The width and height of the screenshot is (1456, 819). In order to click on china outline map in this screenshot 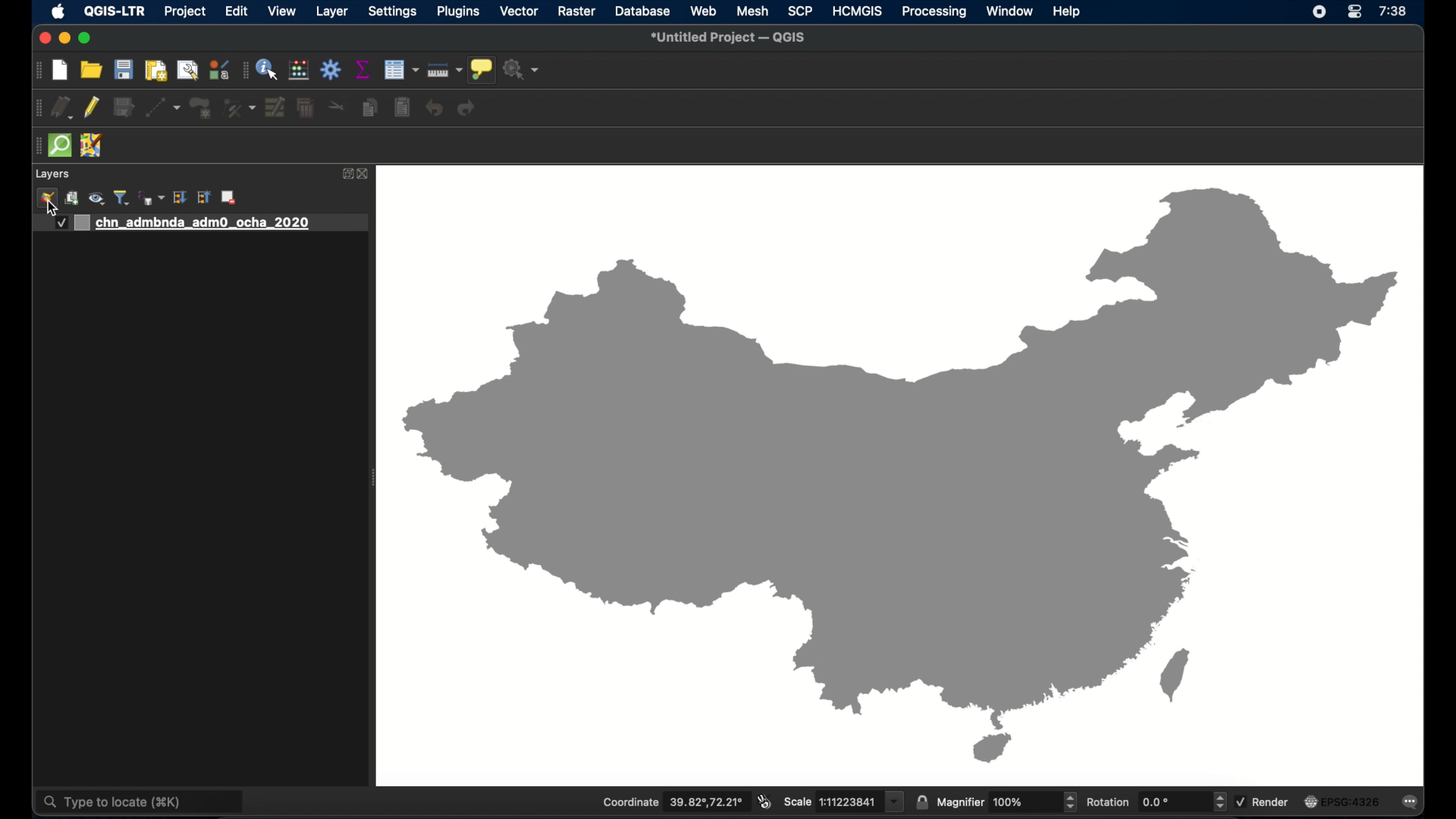, I will do `click(902, 479)`.